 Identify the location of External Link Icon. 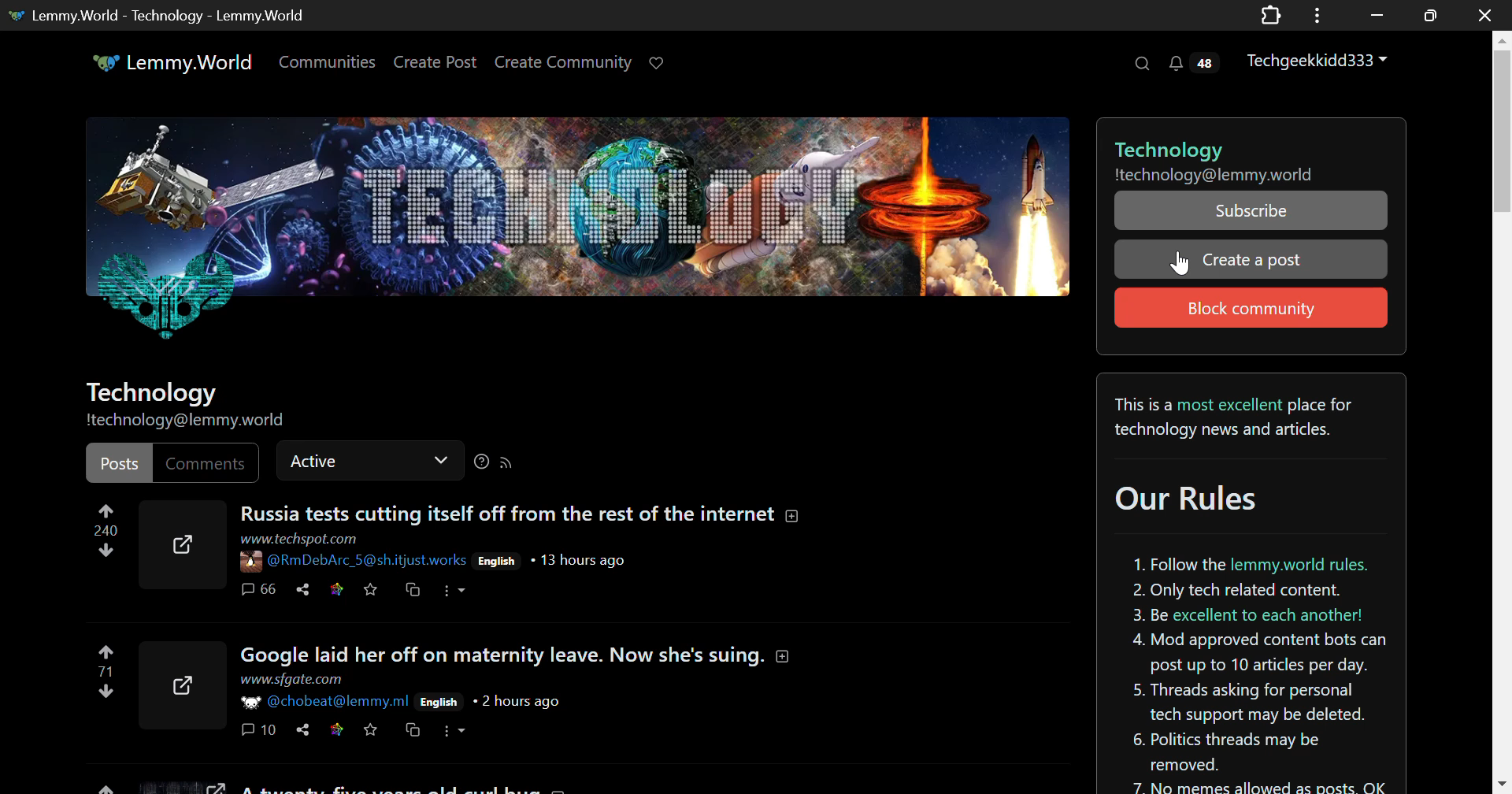
(176, 683).